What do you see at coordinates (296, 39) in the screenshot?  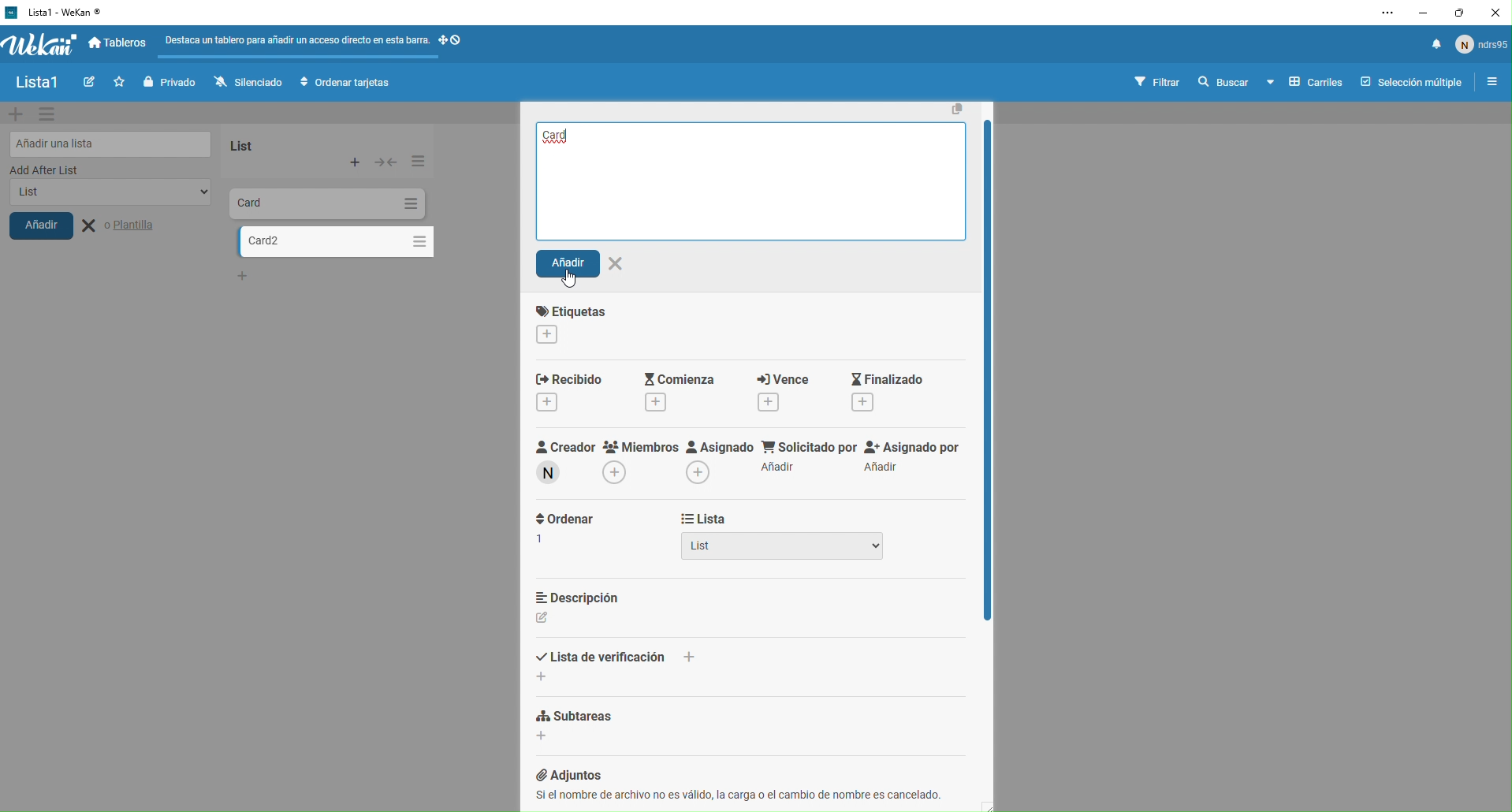 I see `Destaca un tablero para afadir un acceso directo en esta bar` at bounding box center [296, 39].